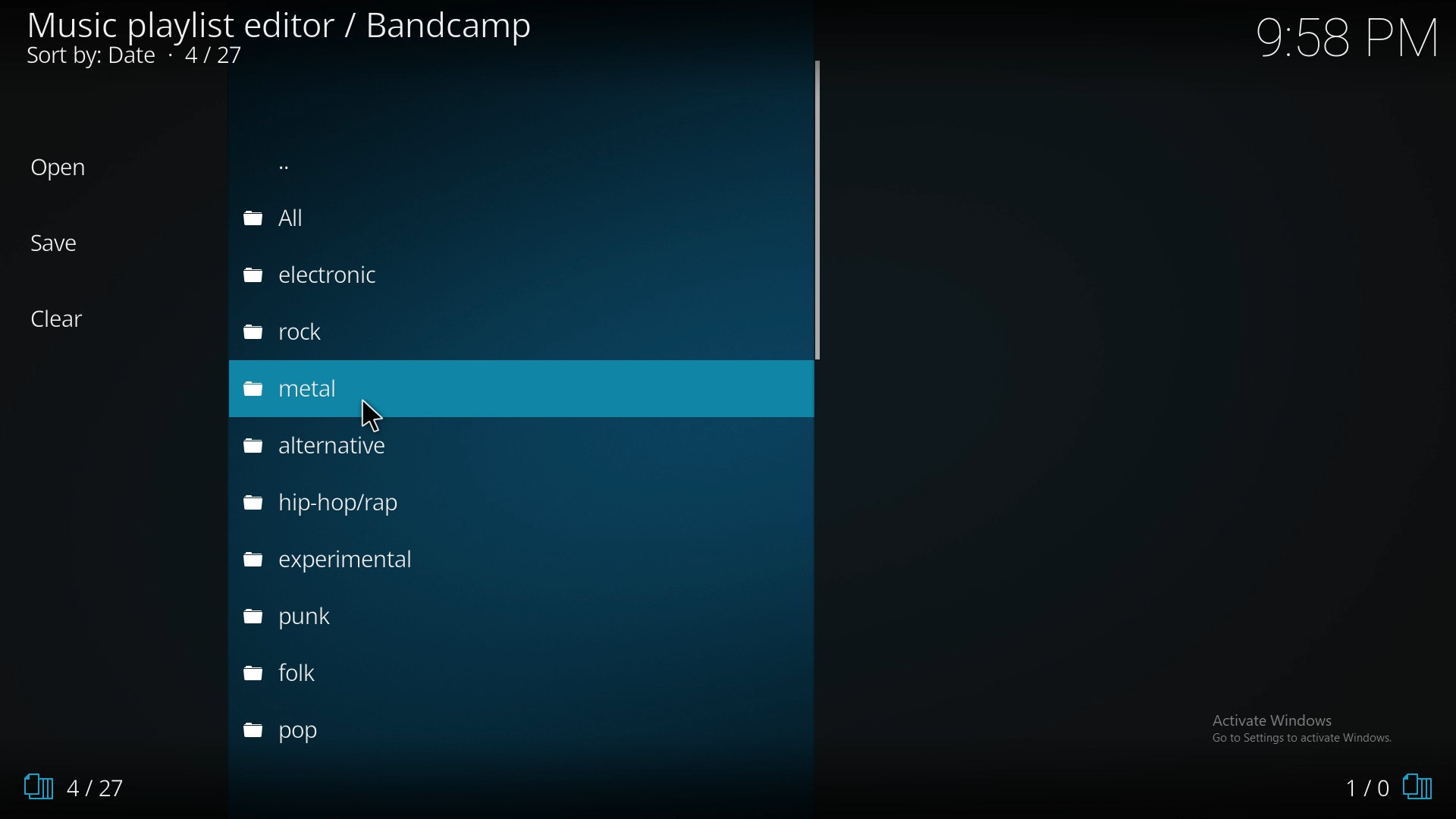 The height and width of the screenshot is (819, 1456). I want to click on all, so click(398, 217).